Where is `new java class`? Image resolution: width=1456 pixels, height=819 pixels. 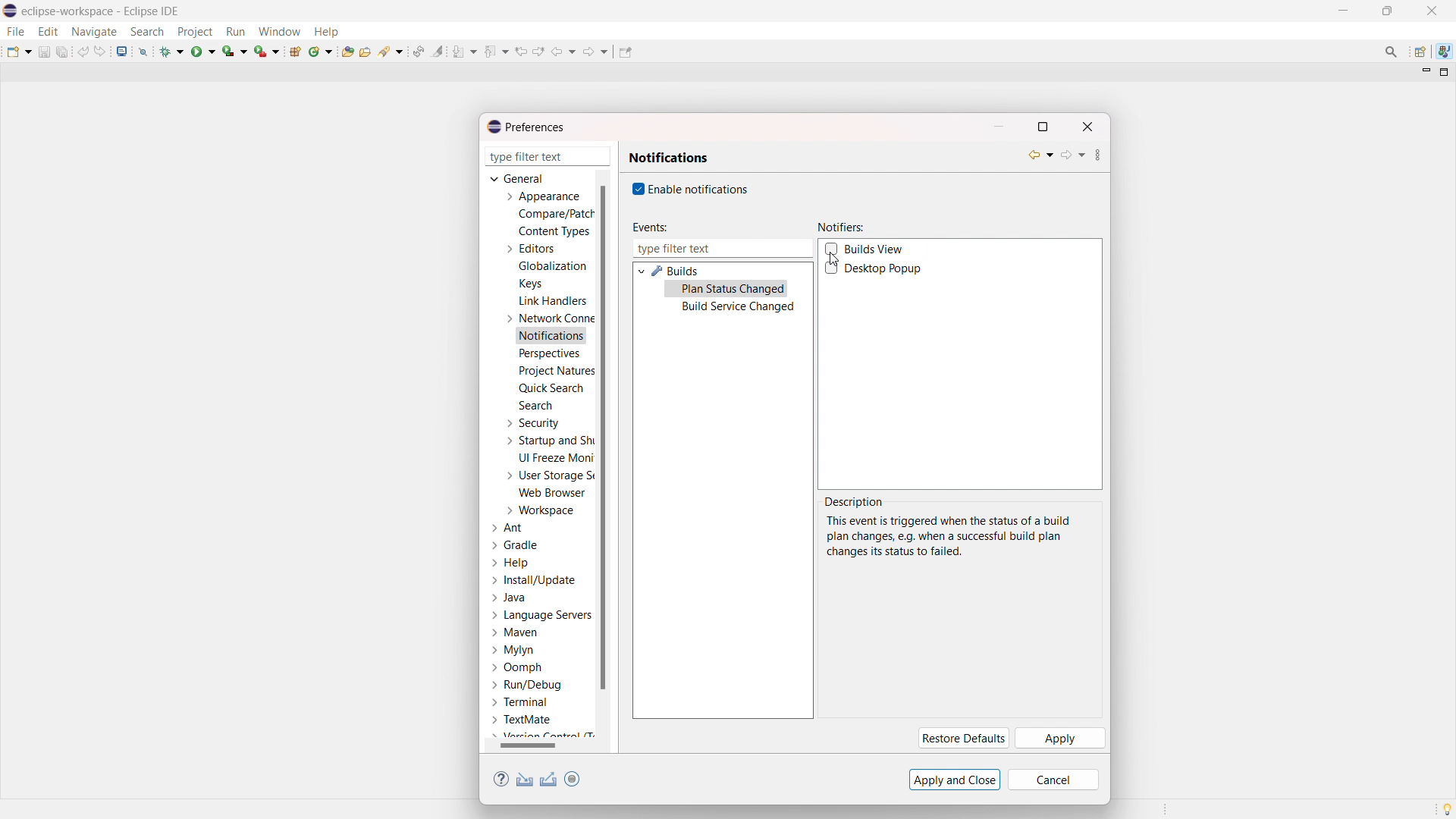
new java class is located at coordinates (322, 51).